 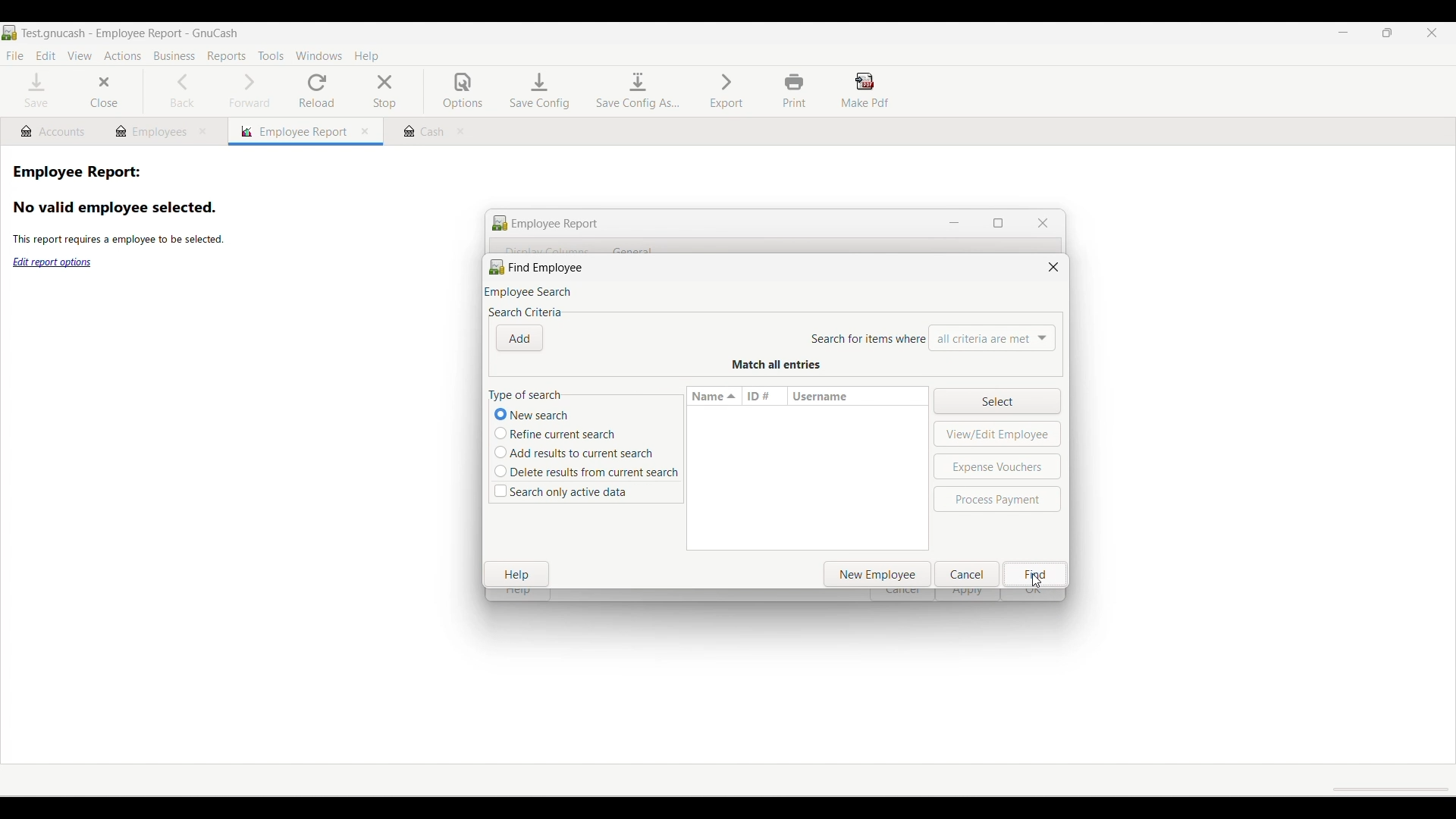 What do you see at coordinates (764, 396) in the screenshot?
I see `Employee ID column` at bounding box center [764, 396].